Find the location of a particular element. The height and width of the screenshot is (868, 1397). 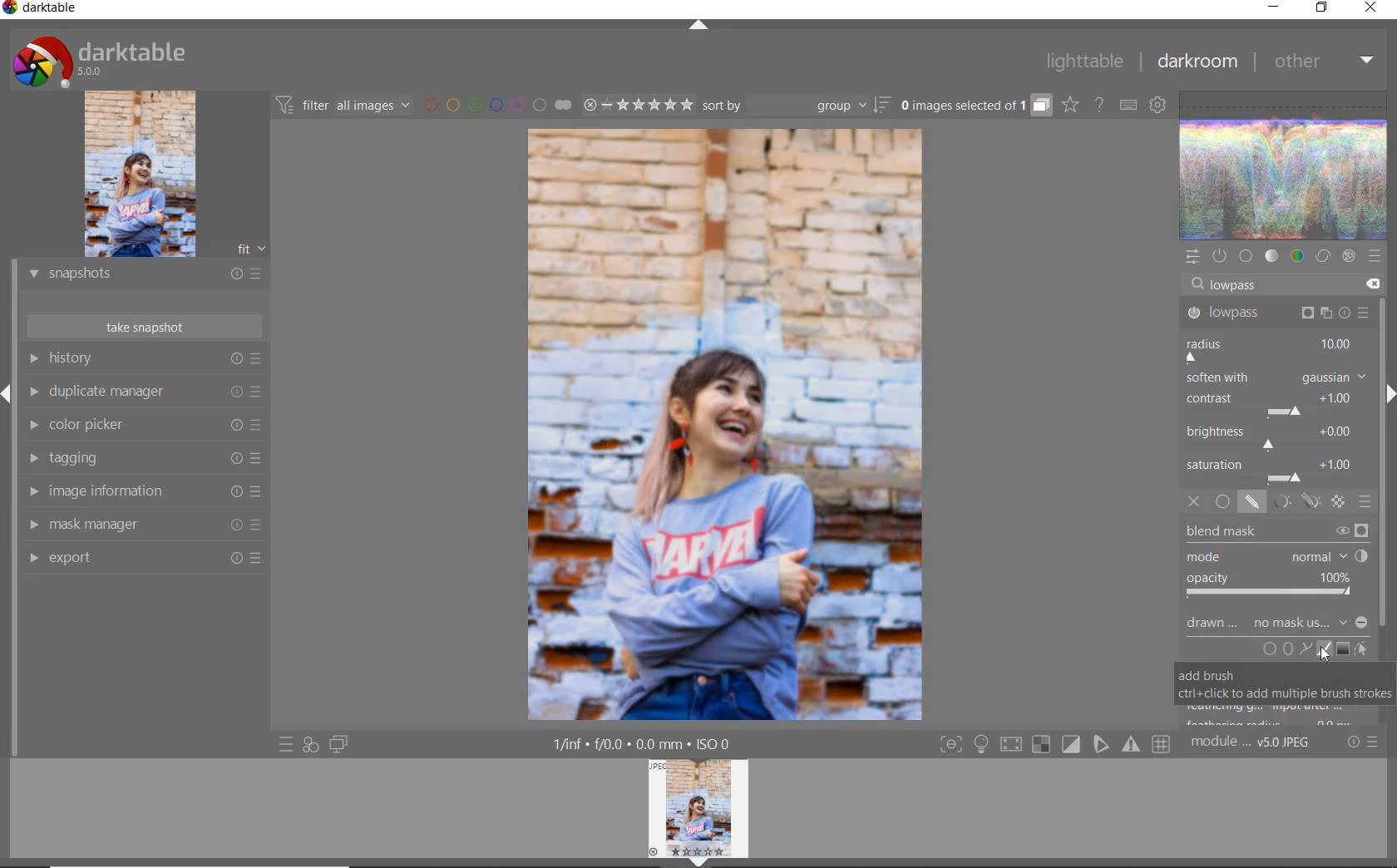

tone is located at coordinates (1272, 257).